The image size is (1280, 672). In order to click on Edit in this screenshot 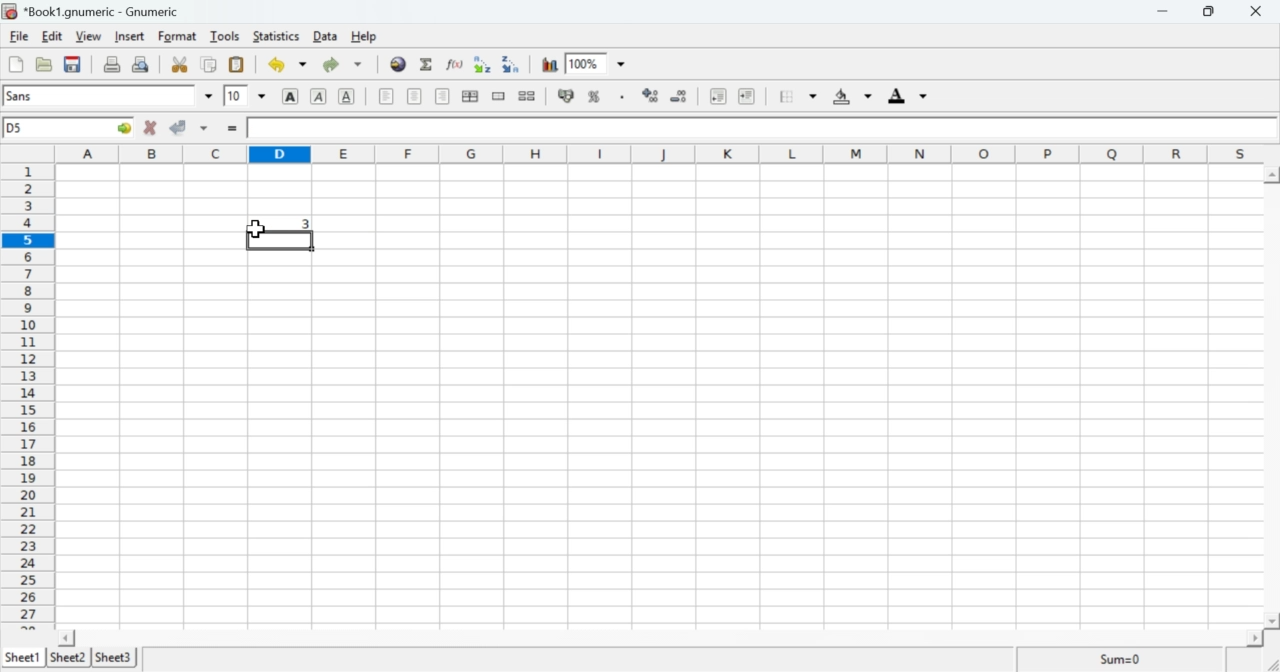, I will do `click(52, 36)`.